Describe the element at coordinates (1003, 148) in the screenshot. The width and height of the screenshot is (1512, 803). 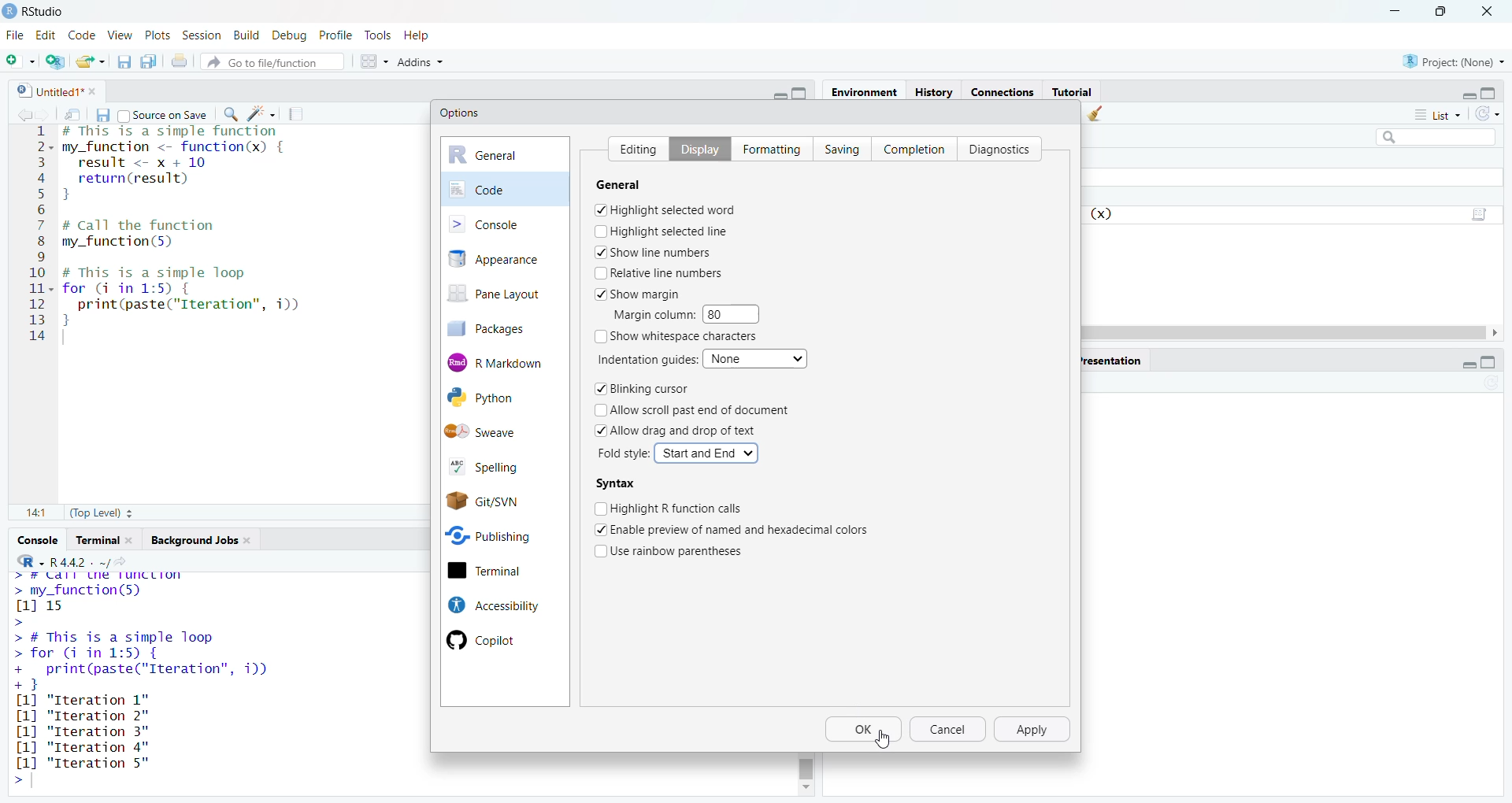
I see `diagnostics` at that location.